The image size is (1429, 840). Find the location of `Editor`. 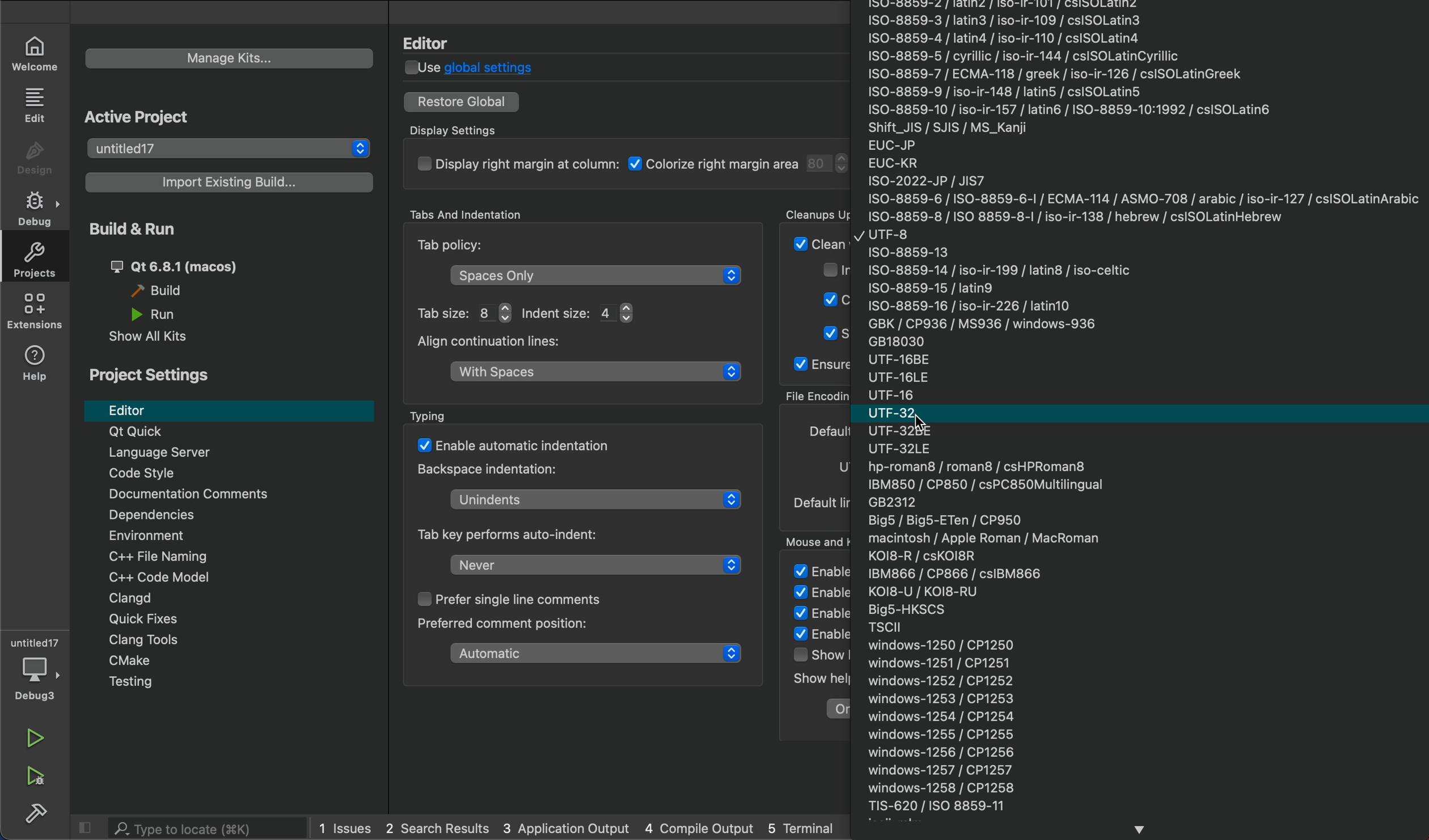

Editor is located at coordinates (434, 39).